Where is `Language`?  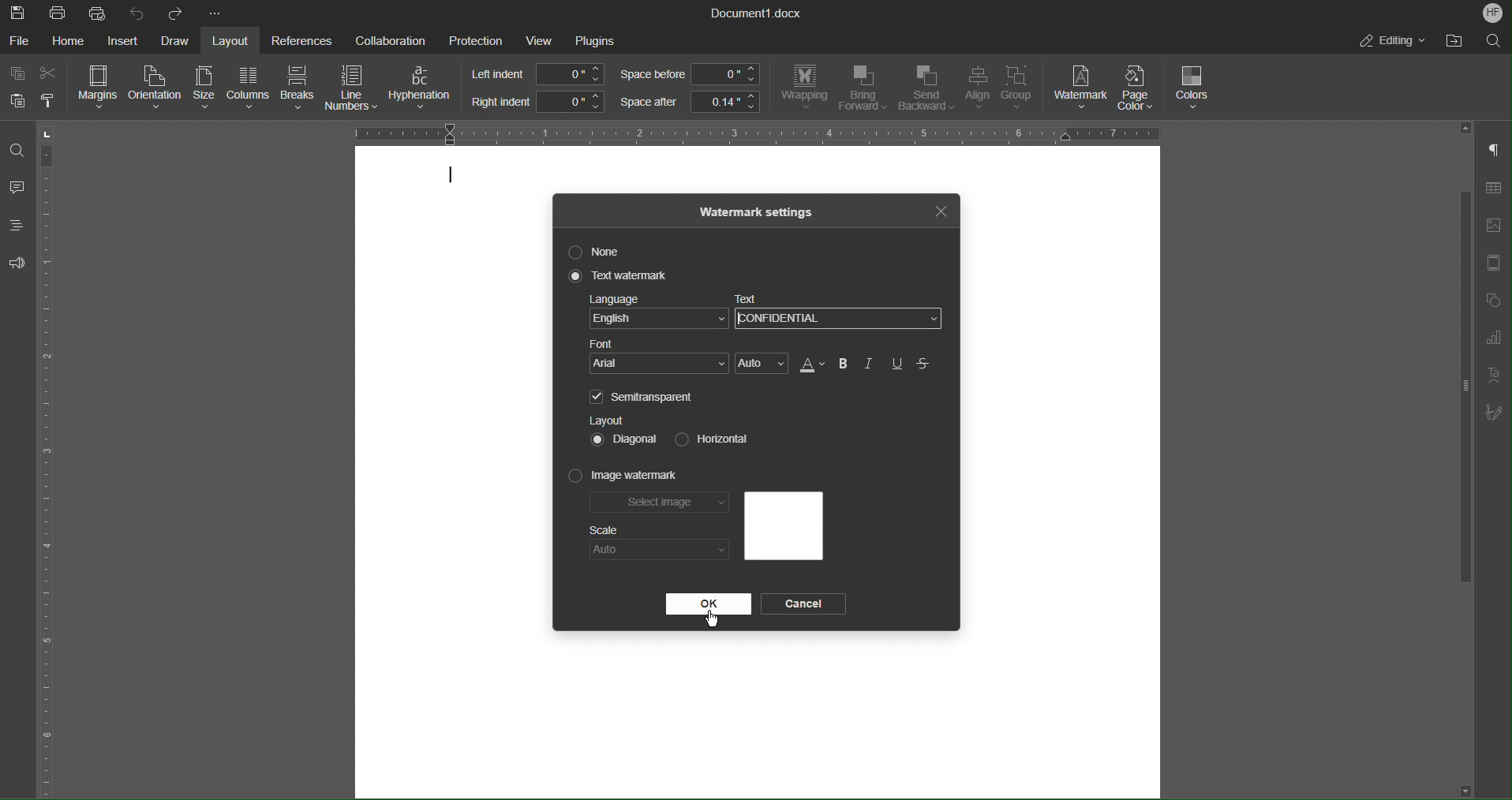
Language is located at coordinates (658, 314).